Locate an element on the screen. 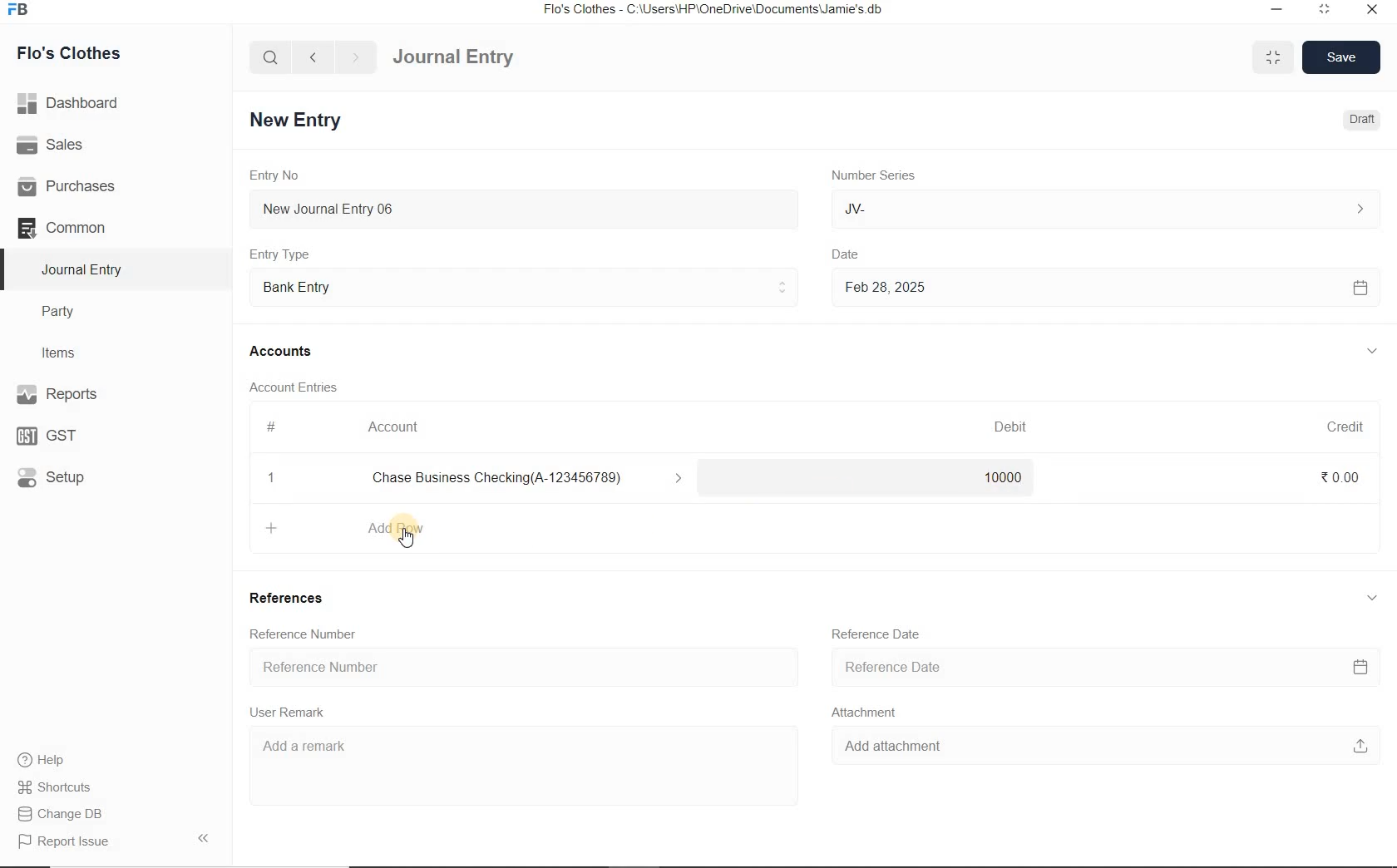  Frappe Books logo is located at coordinates (22, 12).